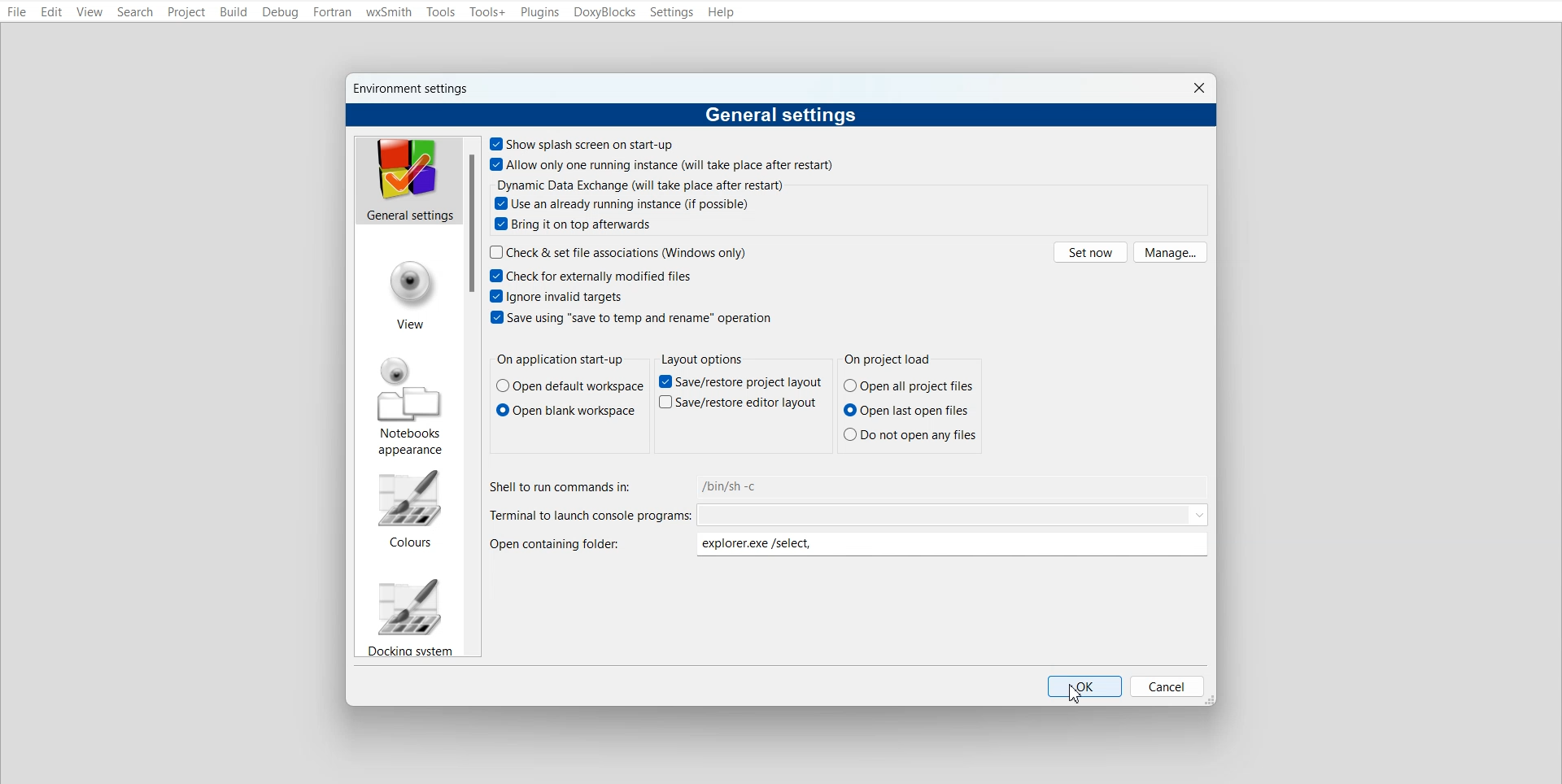 The image size is (1562, 784). What do you see at coordinates (411, 297) in the screenshot?
I see `View` at bounding box center [411, 297].